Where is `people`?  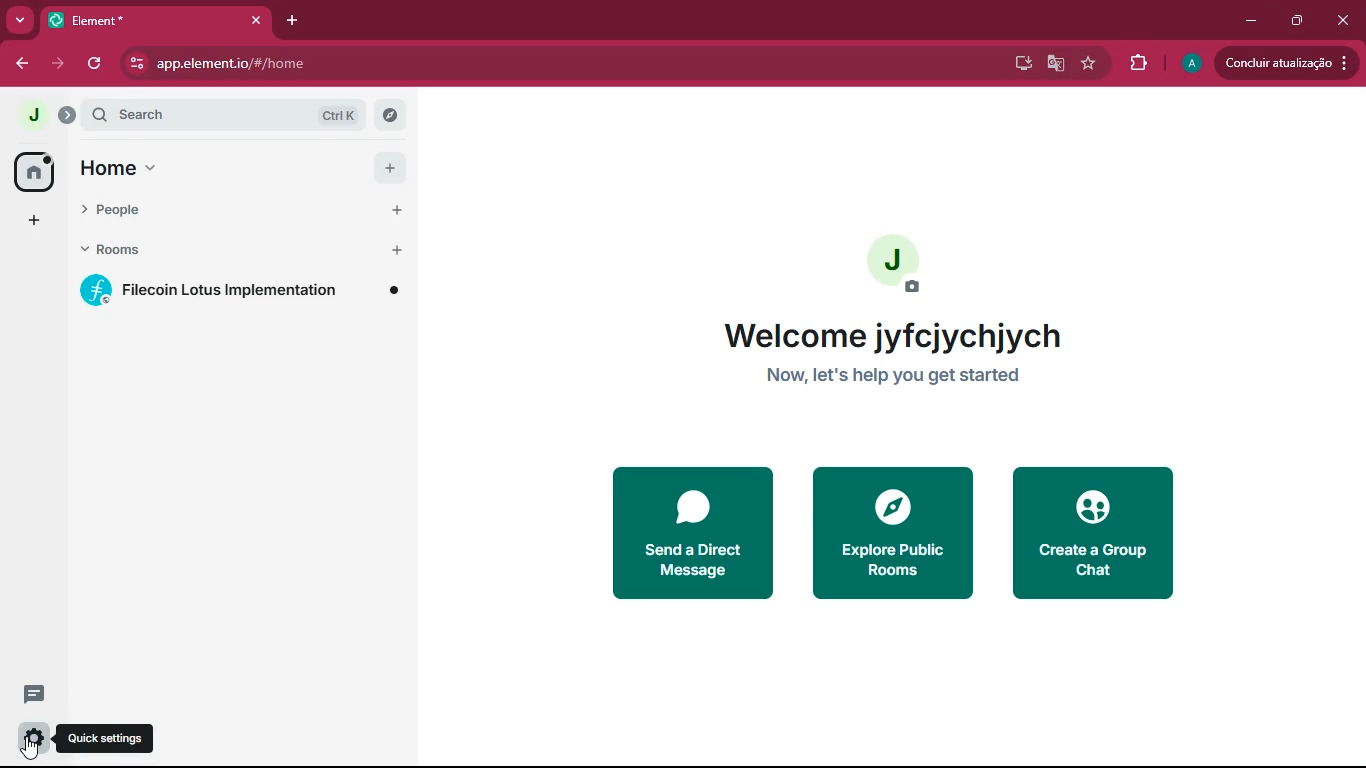
people is located at coordinates (203, 219).